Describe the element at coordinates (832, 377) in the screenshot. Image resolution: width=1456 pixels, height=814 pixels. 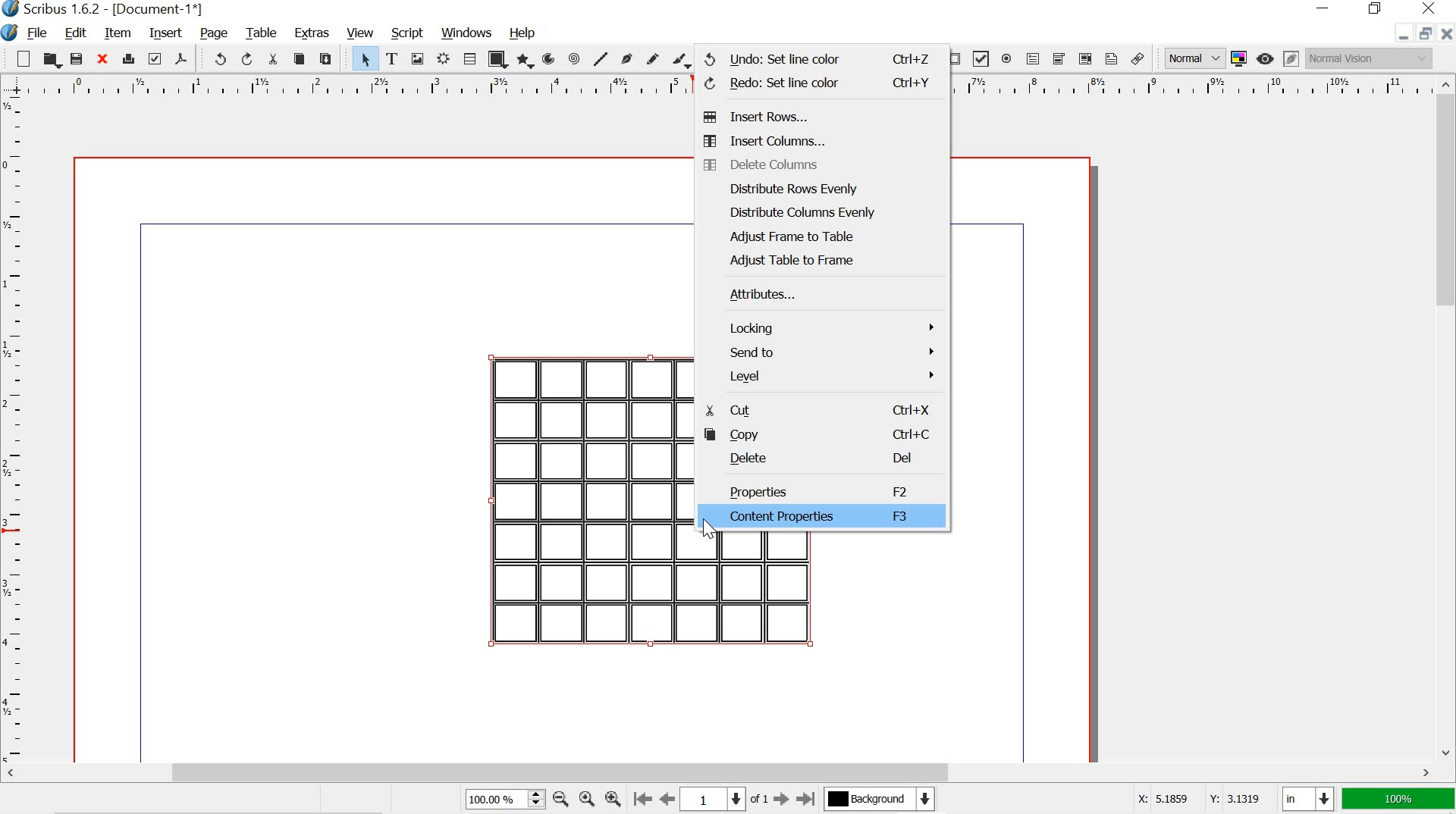
I see `level` at that location.